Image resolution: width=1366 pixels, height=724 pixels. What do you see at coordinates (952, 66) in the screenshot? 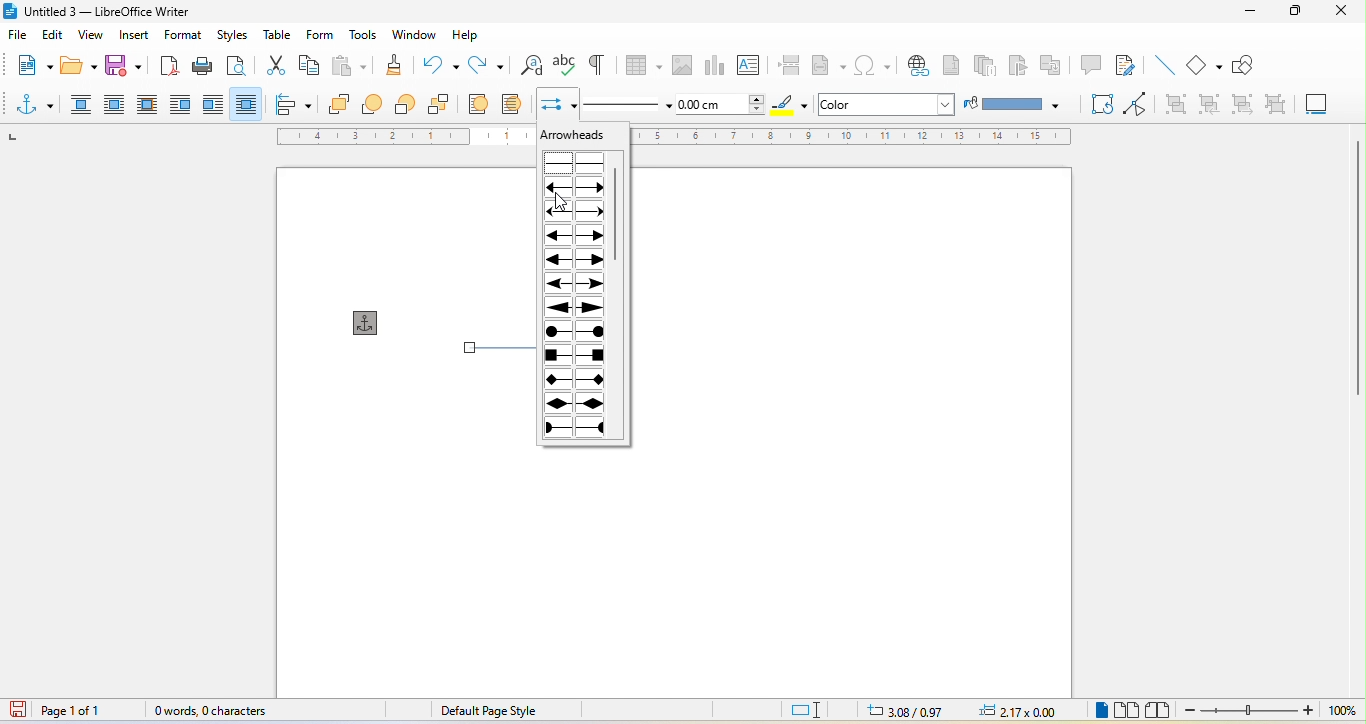
I see `footnote` at bounding box center [952, 66].